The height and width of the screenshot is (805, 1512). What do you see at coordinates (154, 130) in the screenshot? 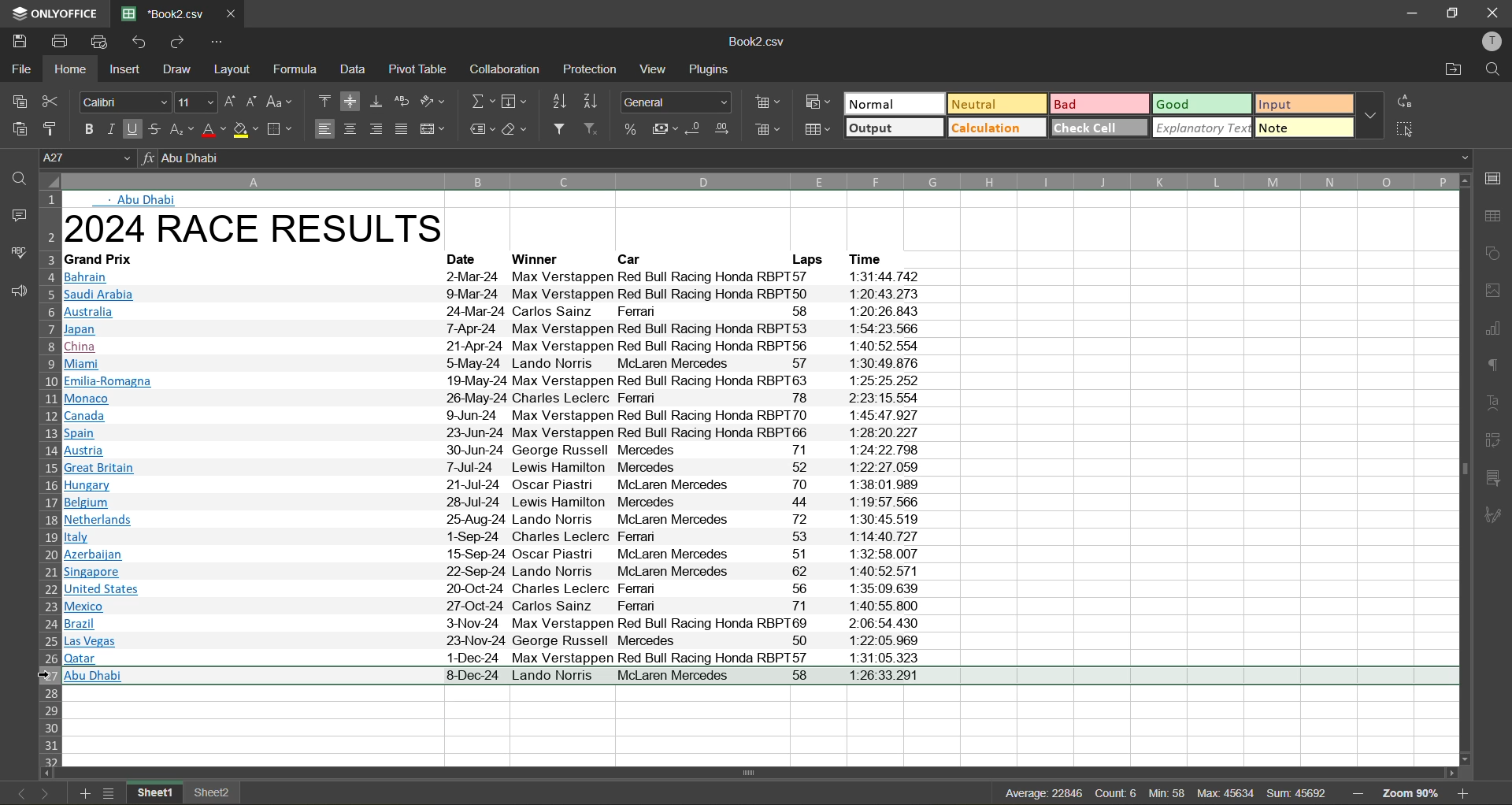
I see `strikethrough` at bounding box center [154, 130].